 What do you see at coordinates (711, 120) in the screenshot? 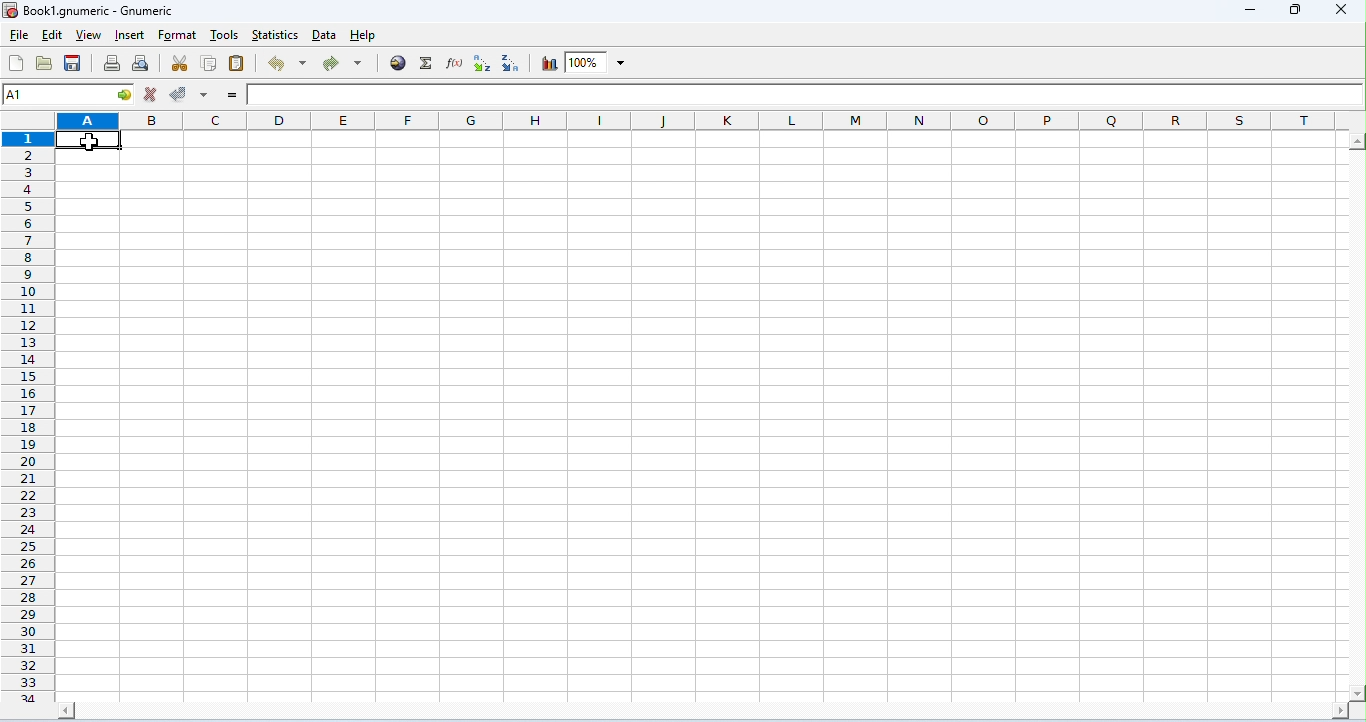
I see `column headings` at bounding box center [711, 120].